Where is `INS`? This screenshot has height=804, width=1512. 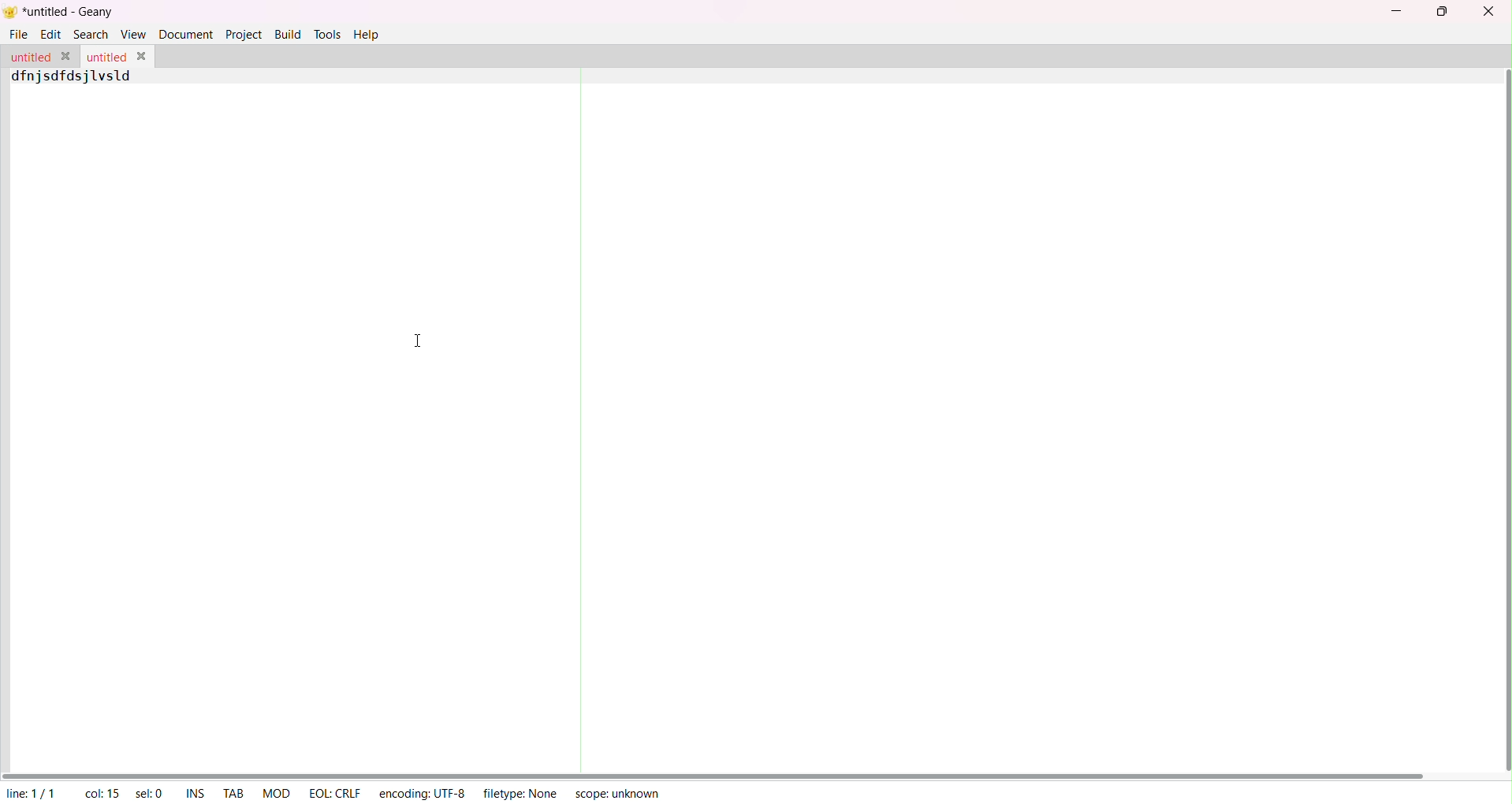
INS is located at coordinates (192, 791).